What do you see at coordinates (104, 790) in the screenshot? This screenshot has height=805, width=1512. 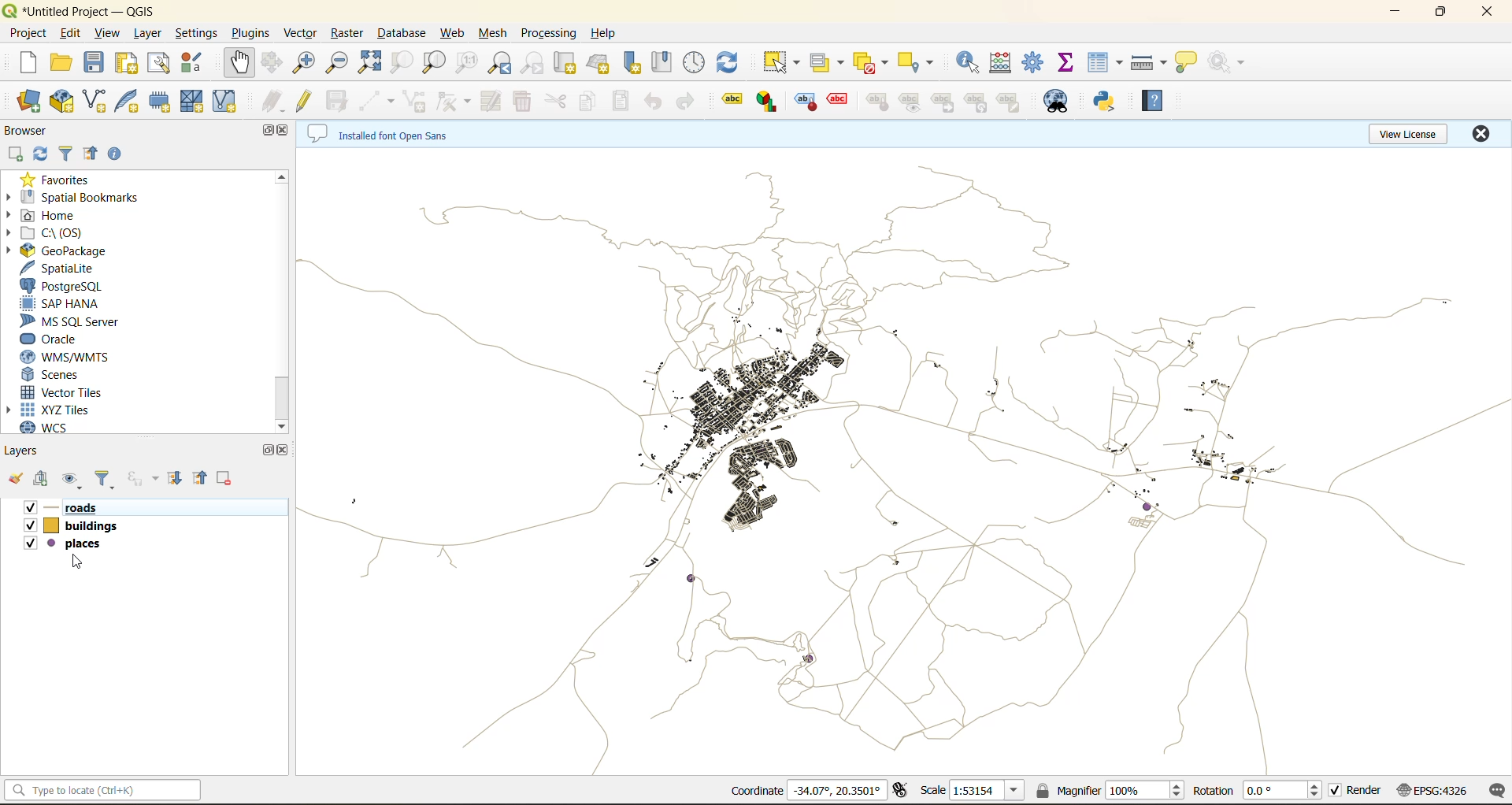 I see `status bar` at bounding box center [104, 790].